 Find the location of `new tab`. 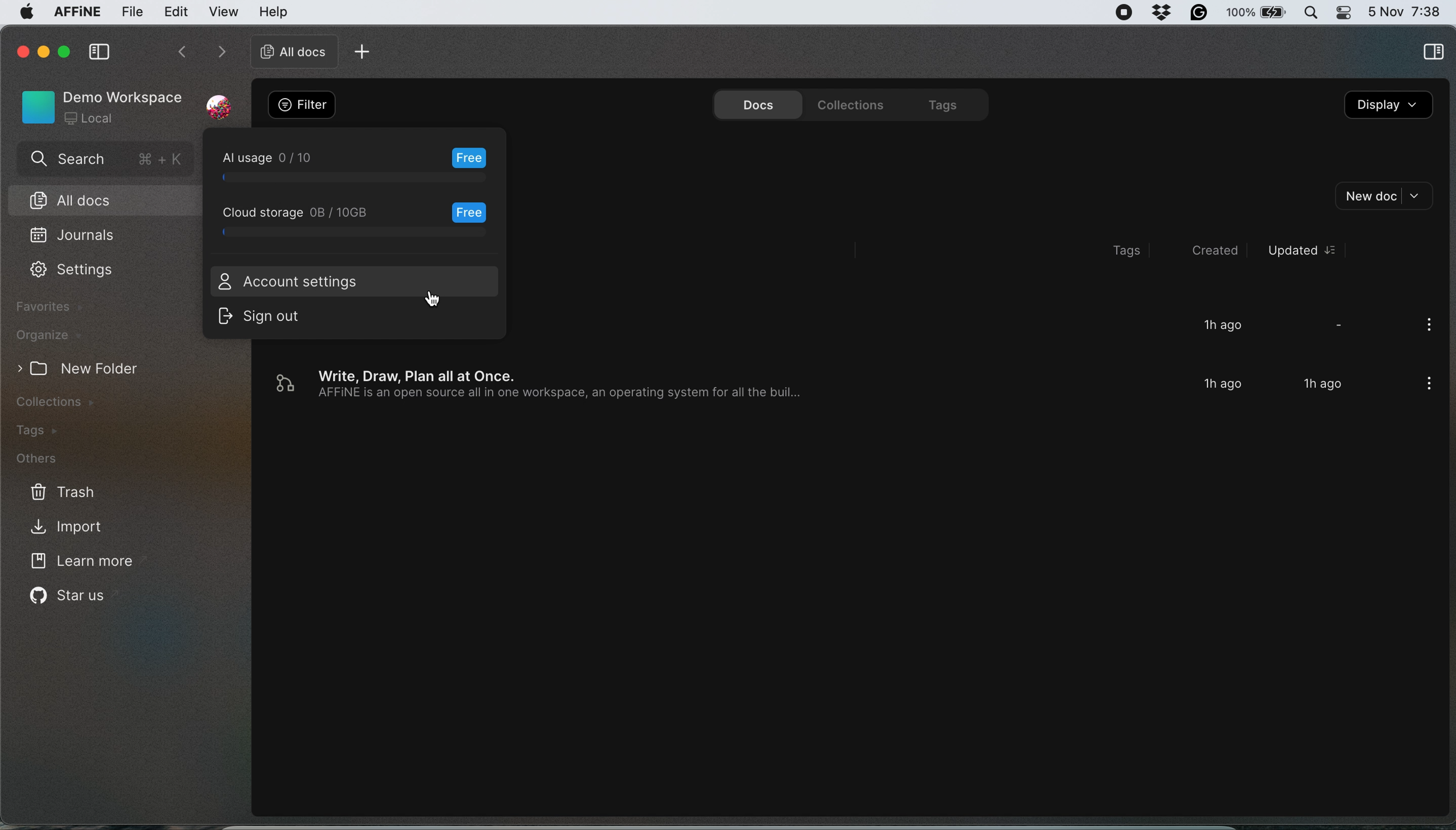

new tab is located at coordinates (365, 51).